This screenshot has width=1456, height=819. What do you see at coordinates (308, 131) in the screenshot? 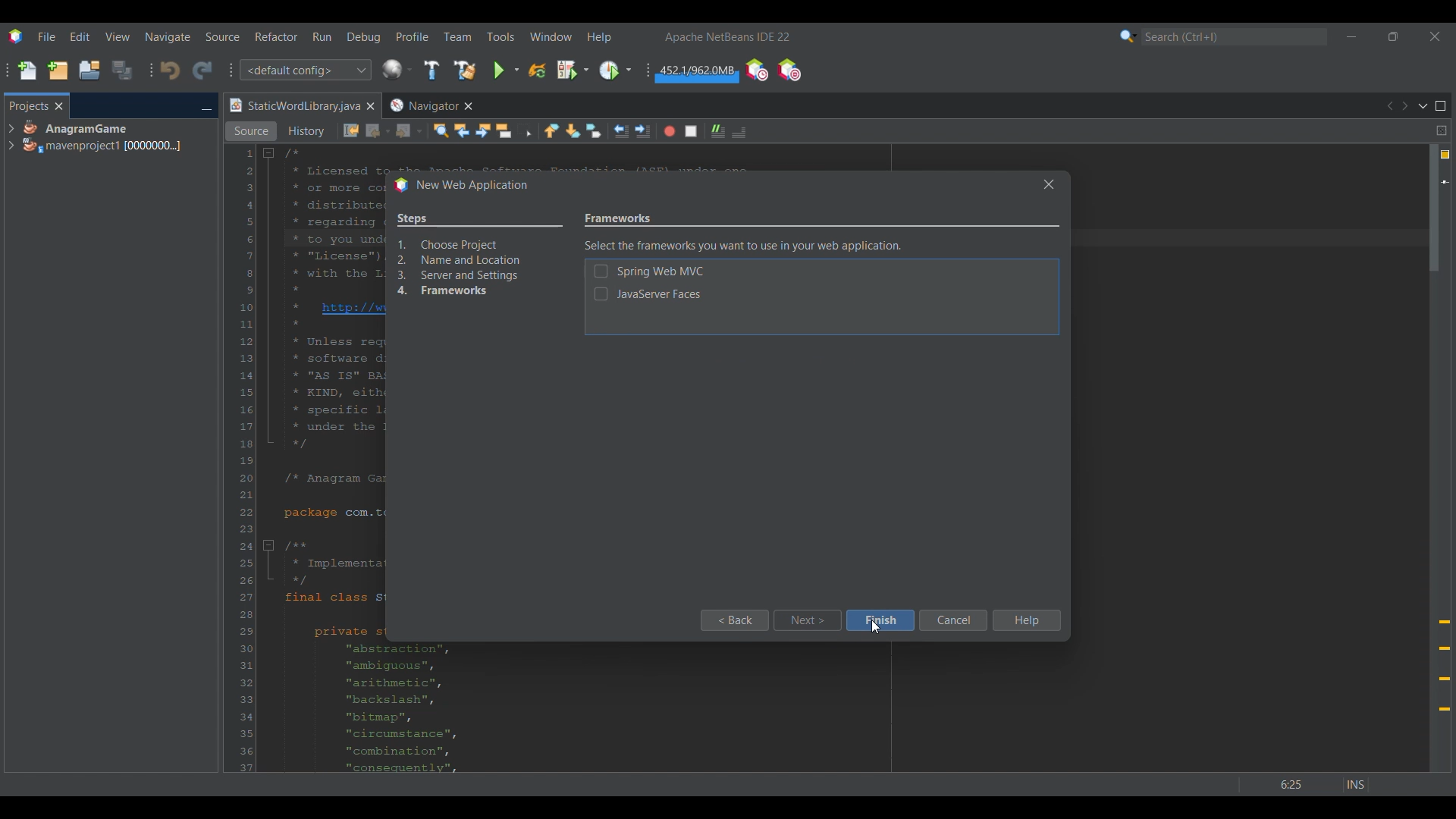
I see `History view` at bounding box center [308, 131].